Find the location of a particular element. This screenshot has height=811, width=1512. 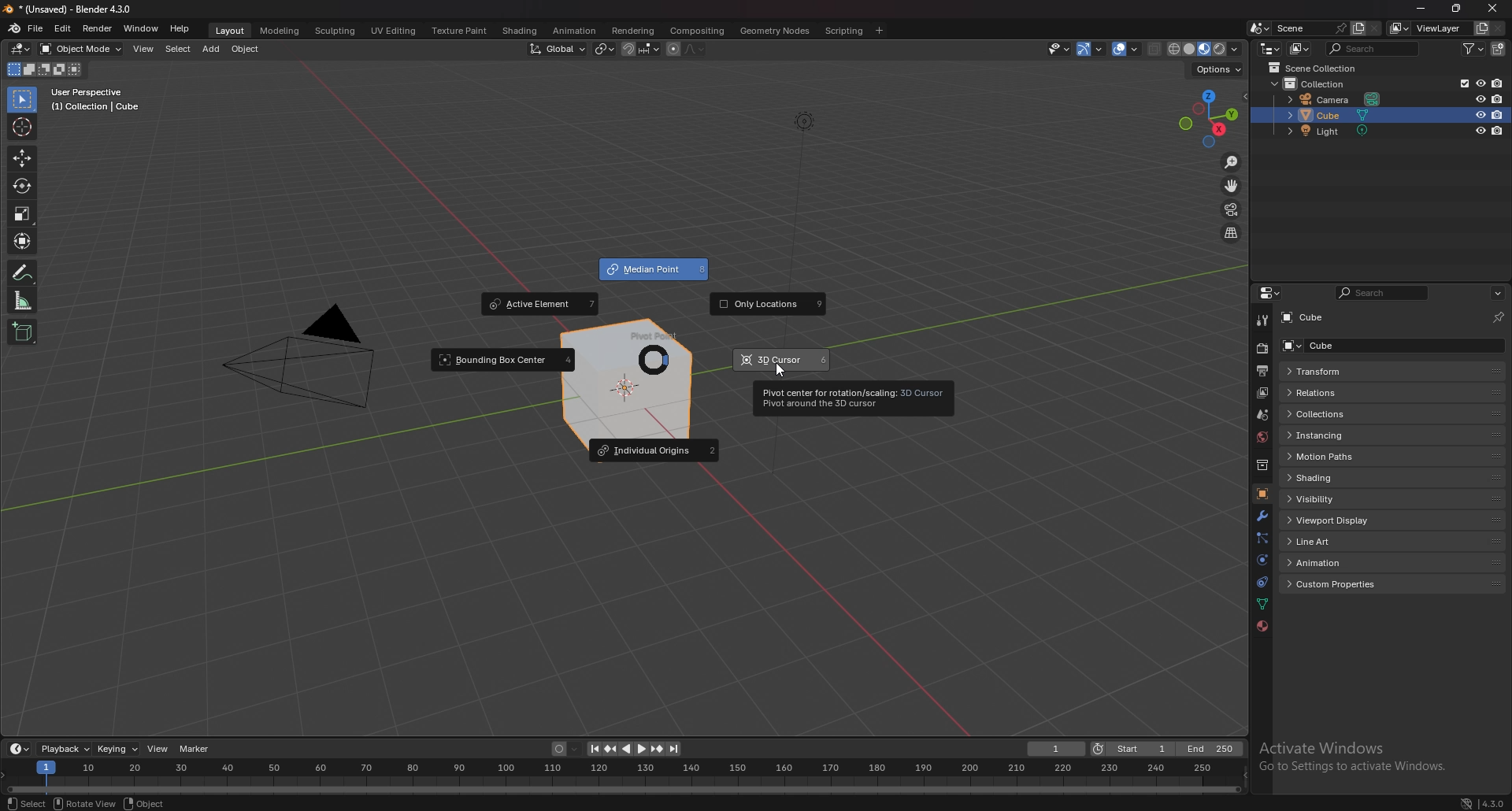

proportional editing fall off is located at coordinates (693, 50).